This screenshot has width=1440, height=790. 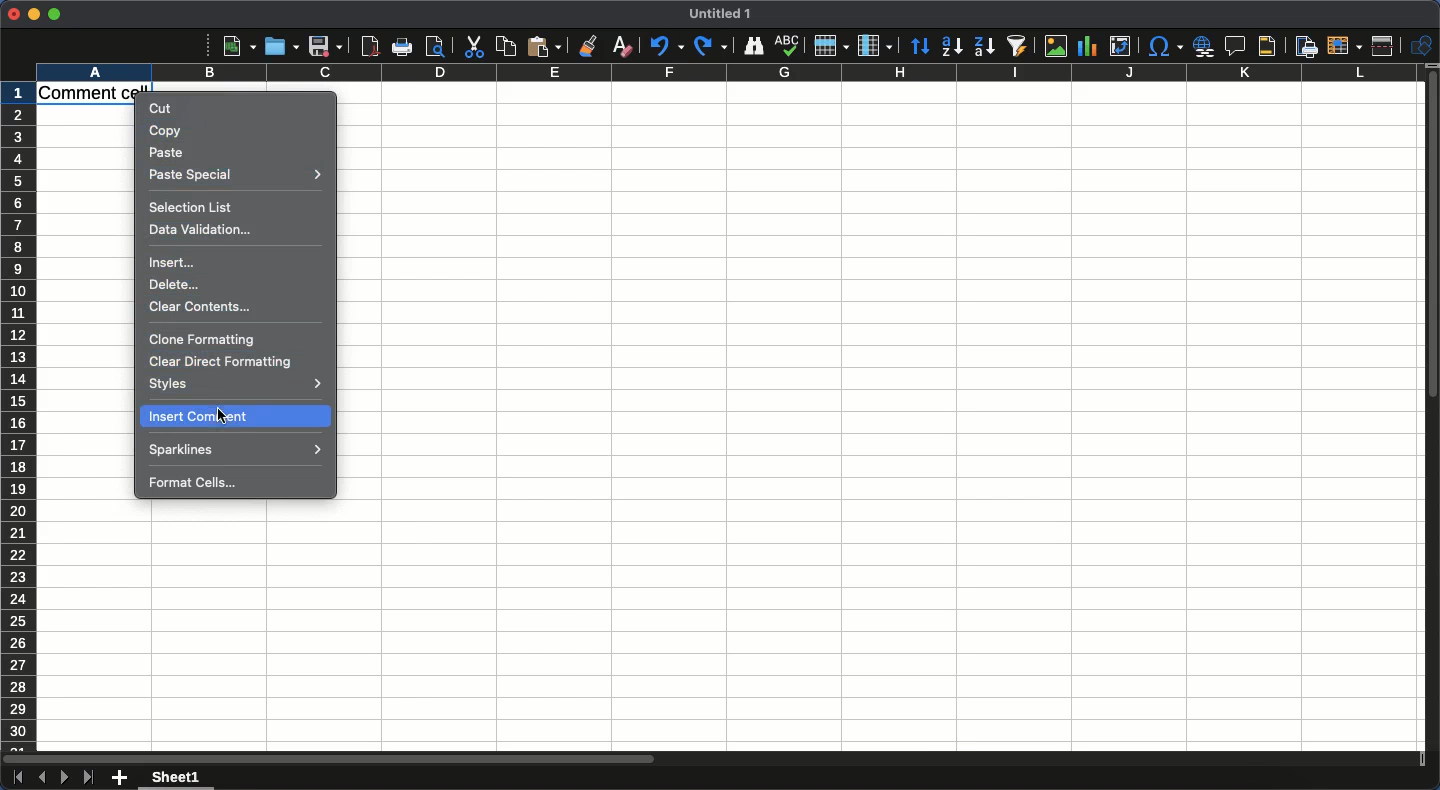 What do you see at coordinates (10, 12) in the screenshot?
I see `Close` at bounding box center [10, 12].